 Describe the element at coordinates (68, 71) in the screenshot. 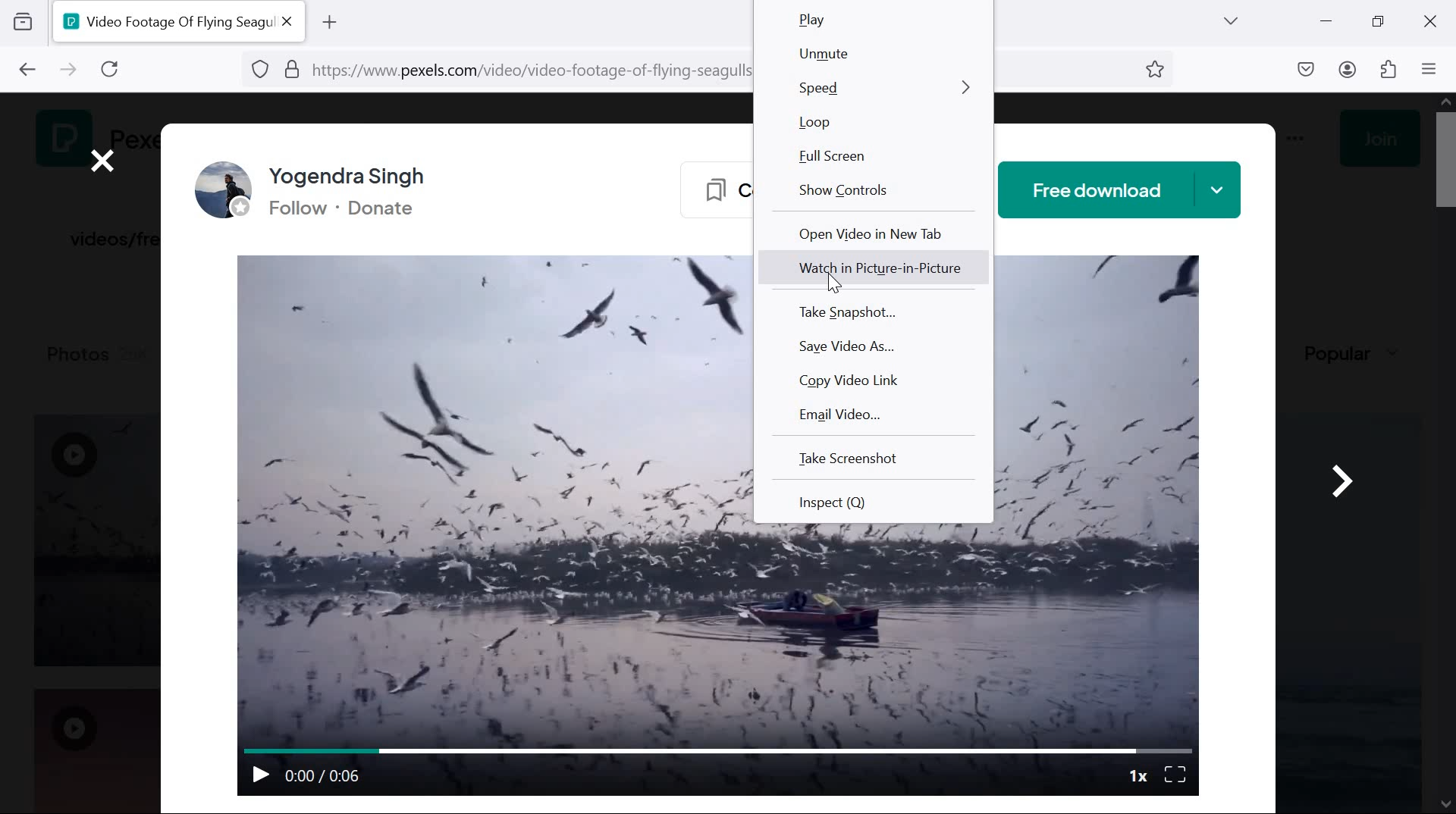

I see `go to next page` at that location.